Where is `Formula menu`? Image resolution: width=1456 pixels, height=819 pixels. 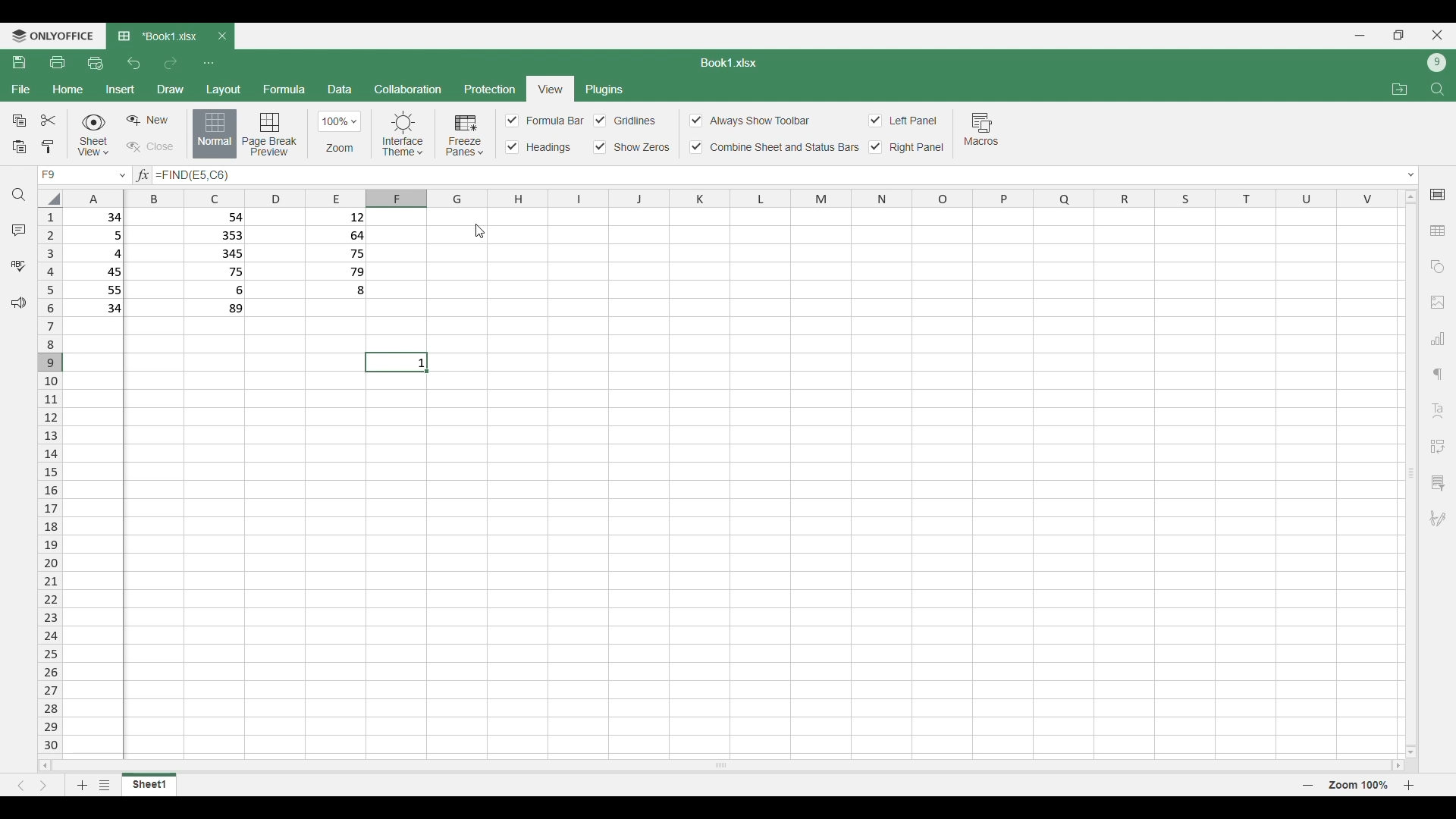
Formula menu is located at coordinates (284, 91).